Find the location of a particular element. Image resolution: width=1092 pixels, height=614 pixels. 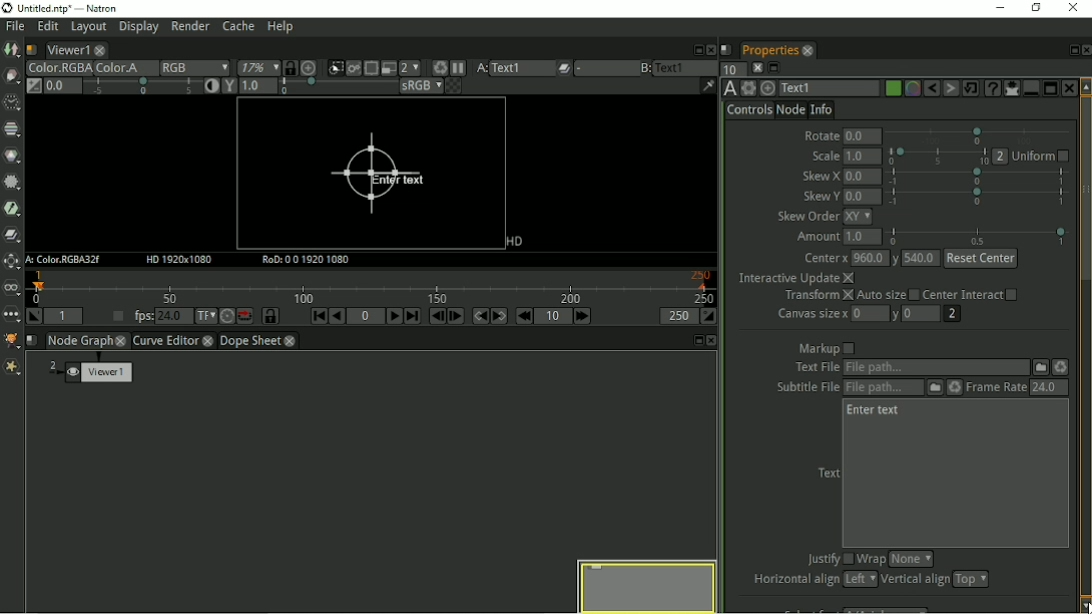

Node is located at coordinates (790, 110).